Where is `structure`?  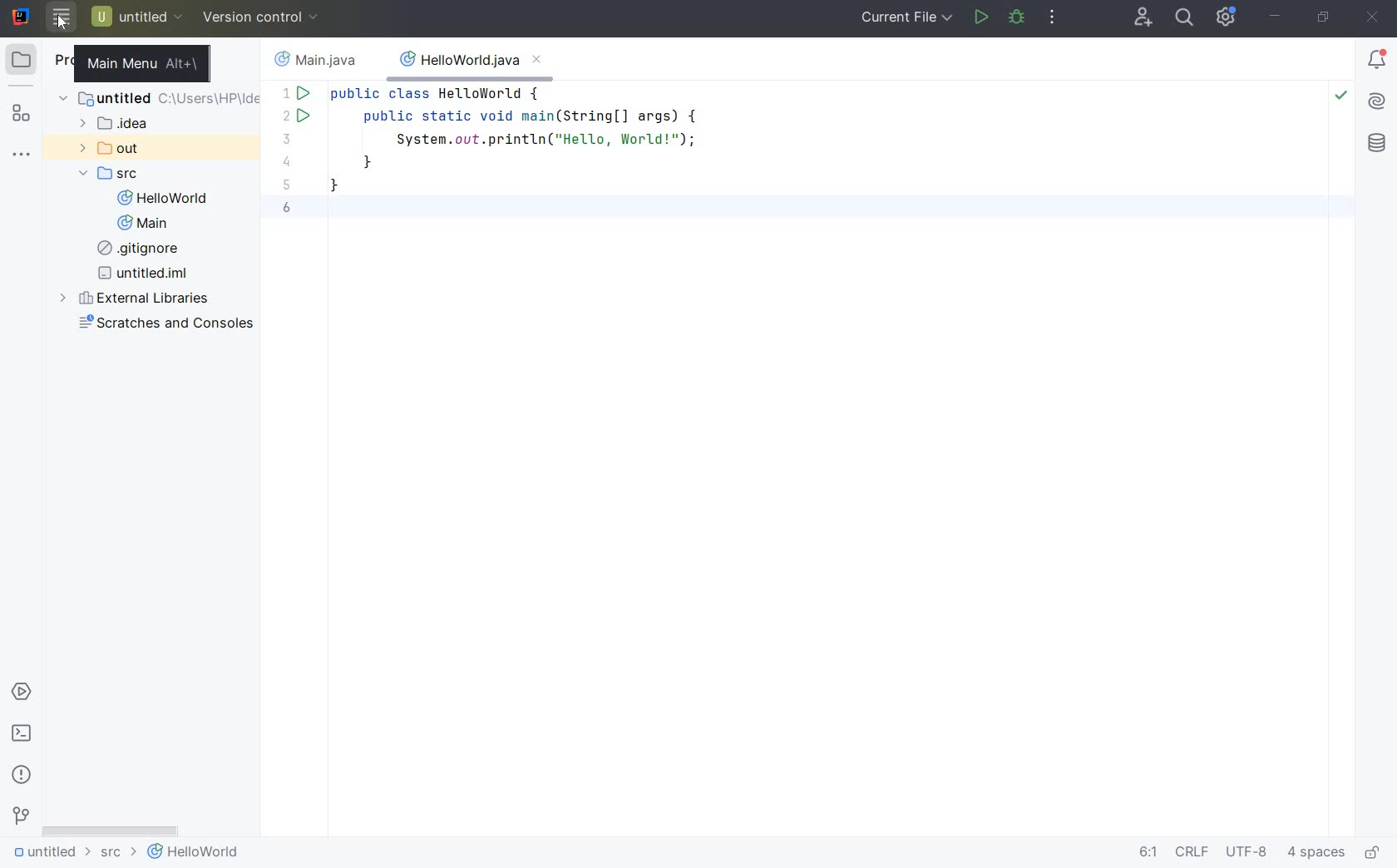
structure is located at coordinates (23, 113).